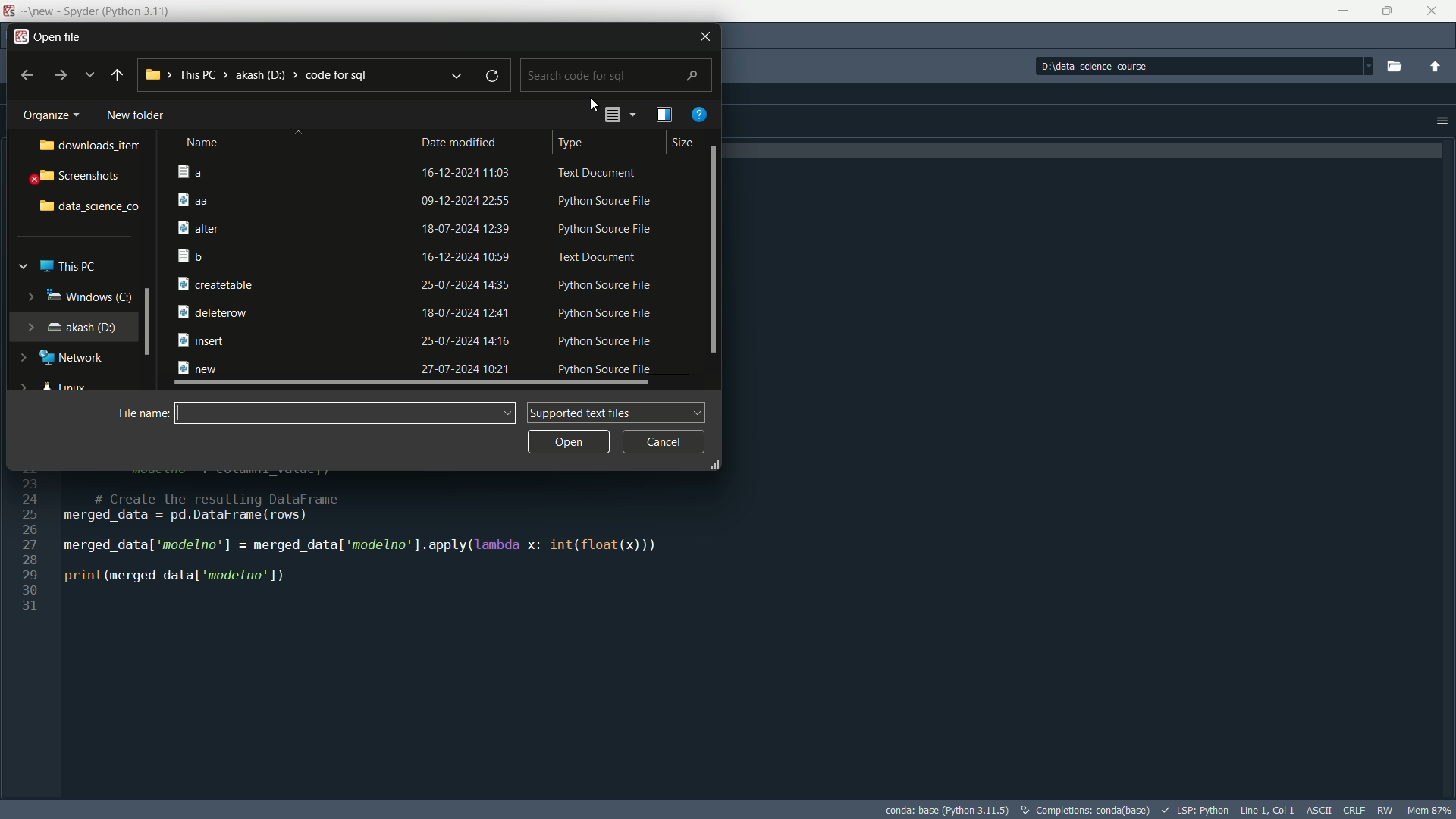 Image resolution: width=1456 pixels, height=819 pixels. I want to click on Maximize, so click(1388, 12).